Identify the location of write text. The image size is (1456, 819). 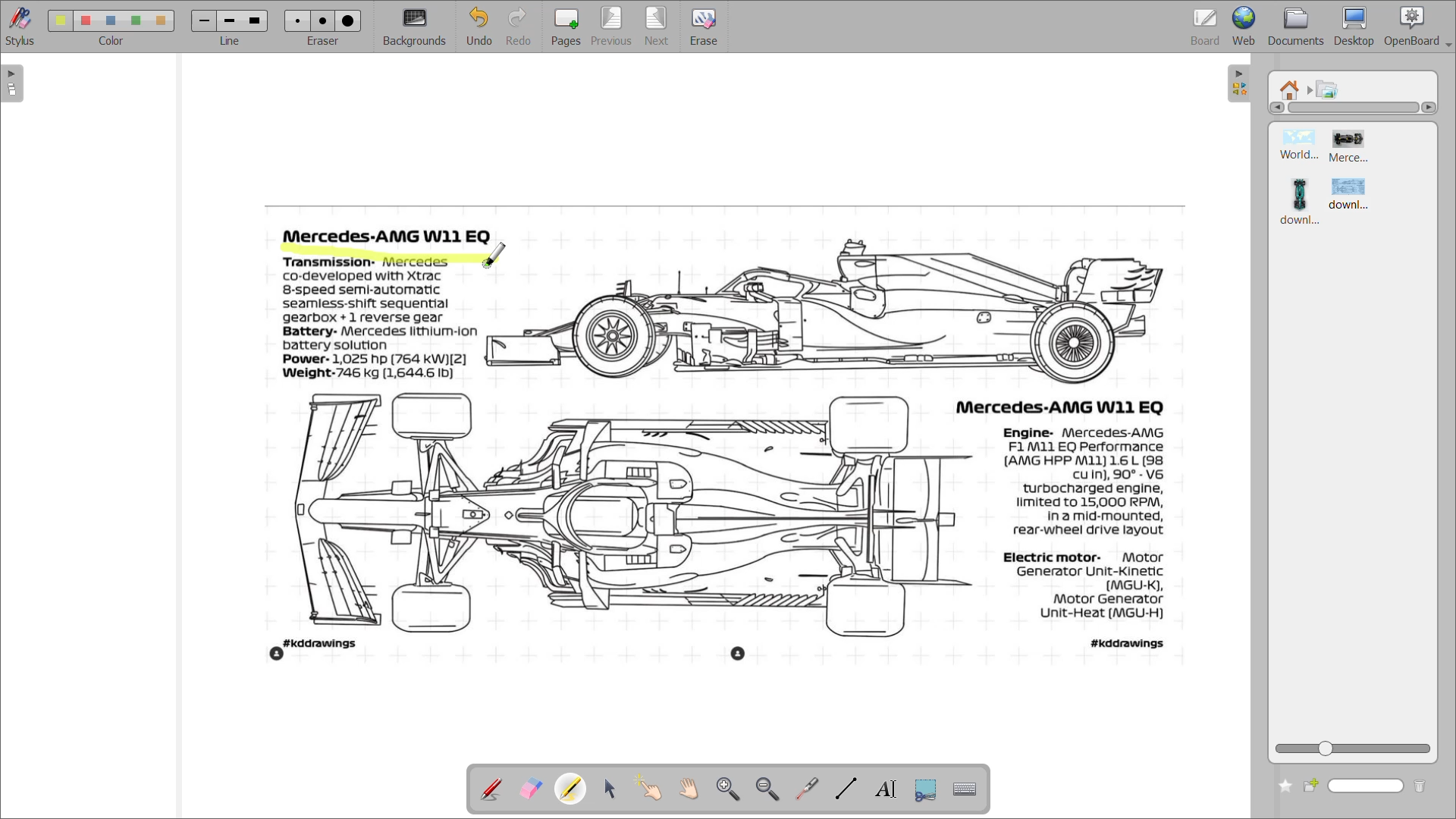
(885, 789).